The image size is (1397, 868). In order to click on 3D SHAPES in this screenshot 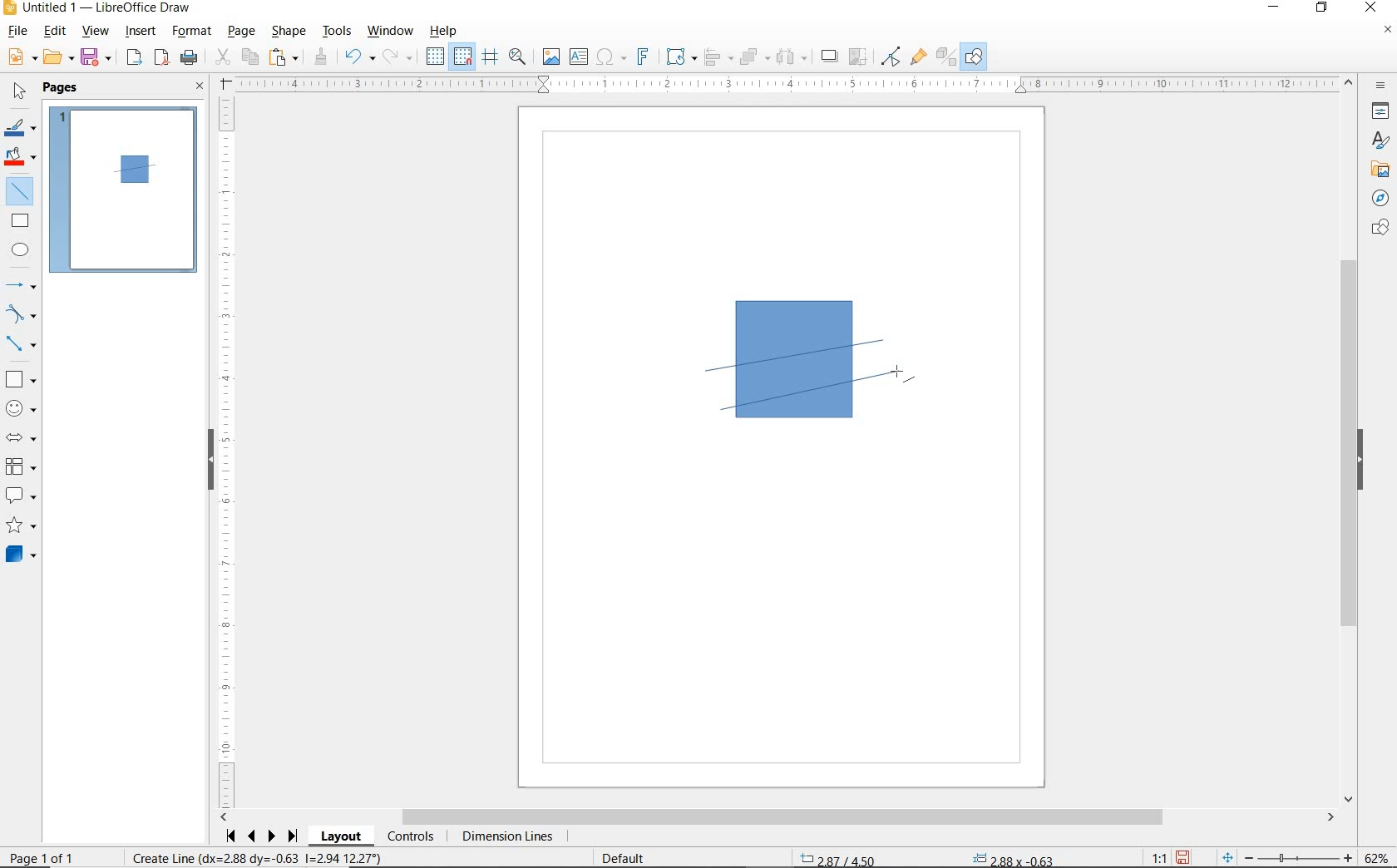, I will do `click(21, 555)`.